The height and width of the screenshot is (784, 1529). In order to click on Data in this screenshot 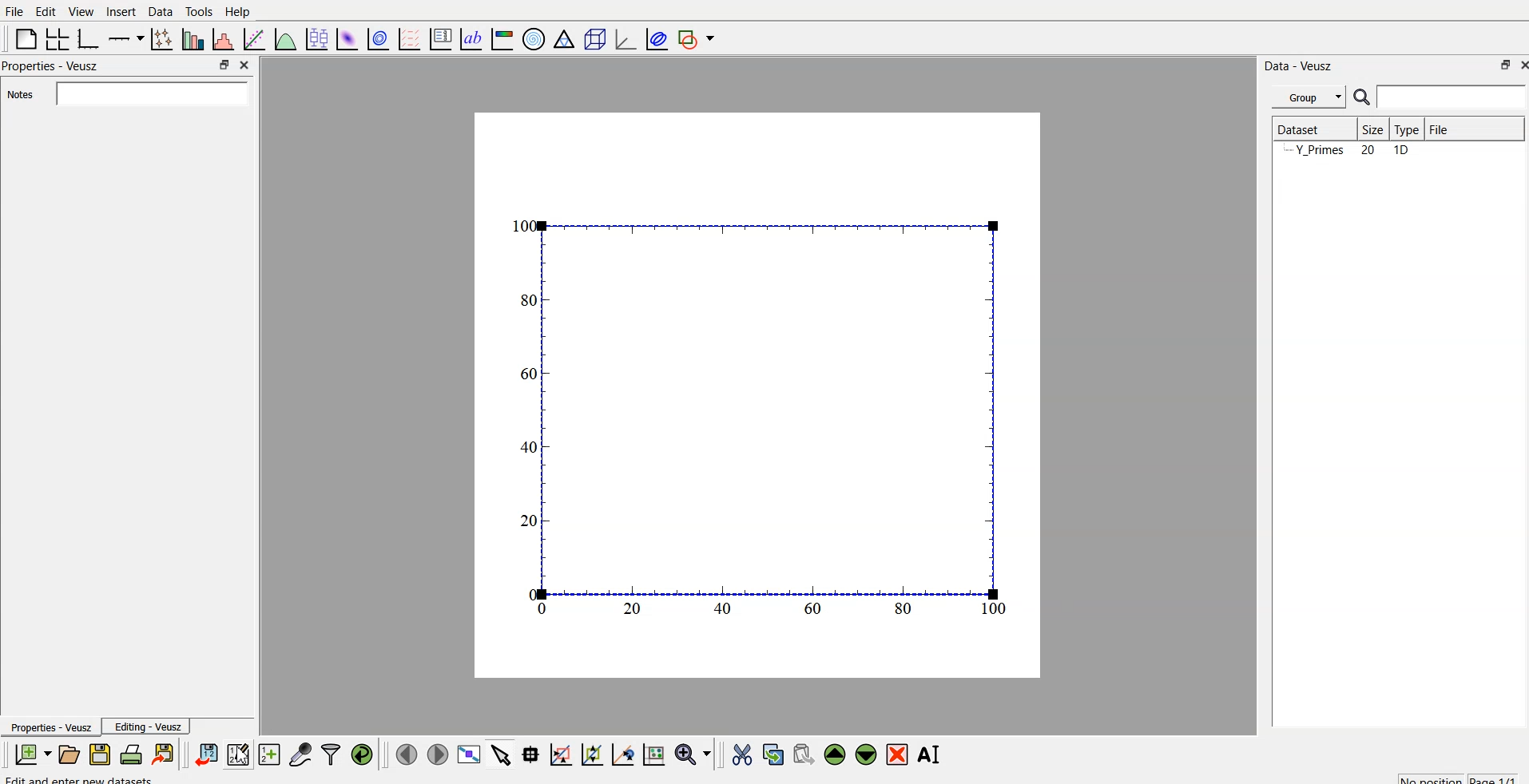, I will do `click(160, 10)`.